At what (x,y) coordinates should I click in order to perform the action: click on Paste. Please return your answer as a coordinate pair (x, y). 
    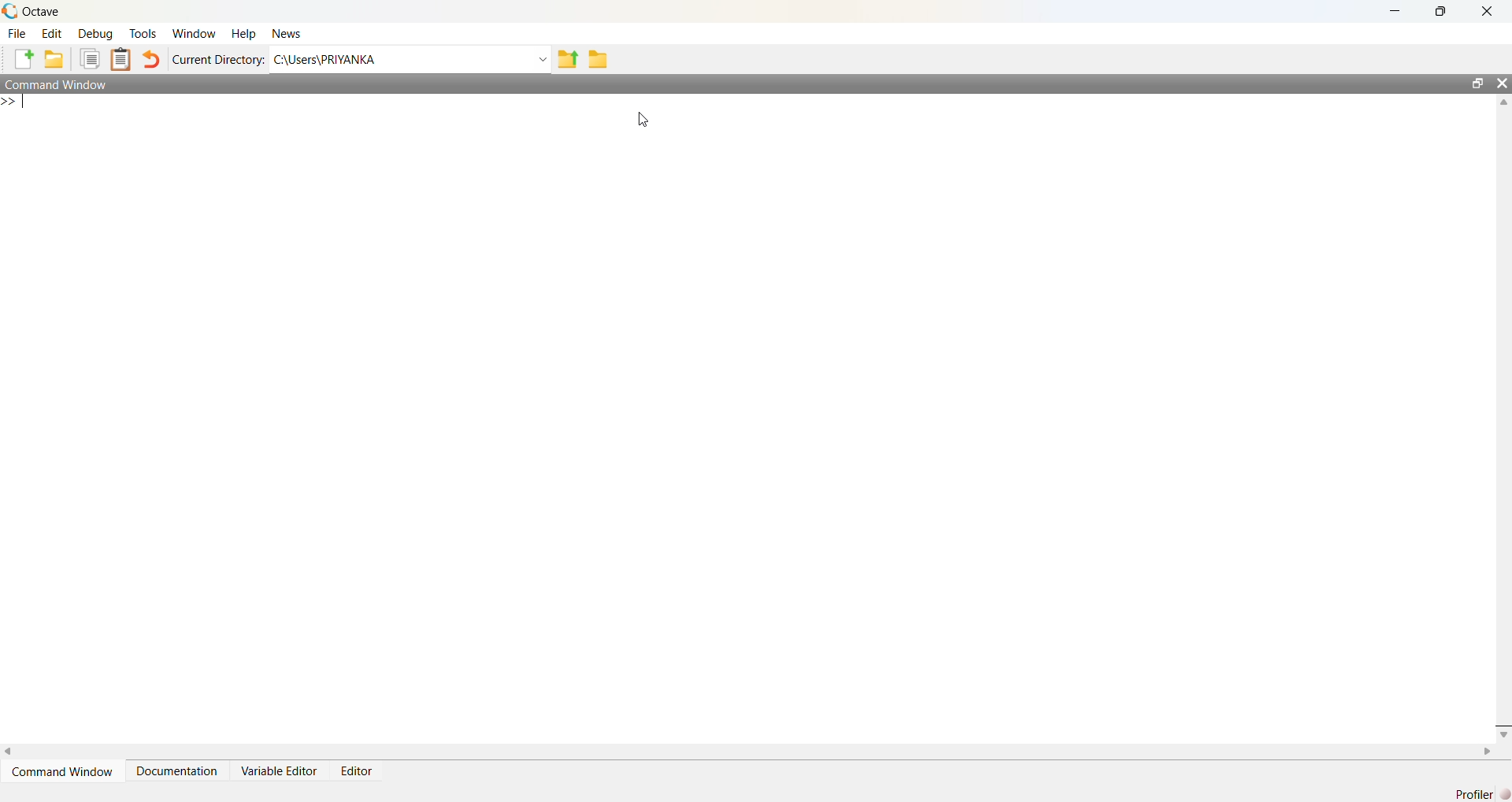
    Looking at the image, I should click on (121, 60).